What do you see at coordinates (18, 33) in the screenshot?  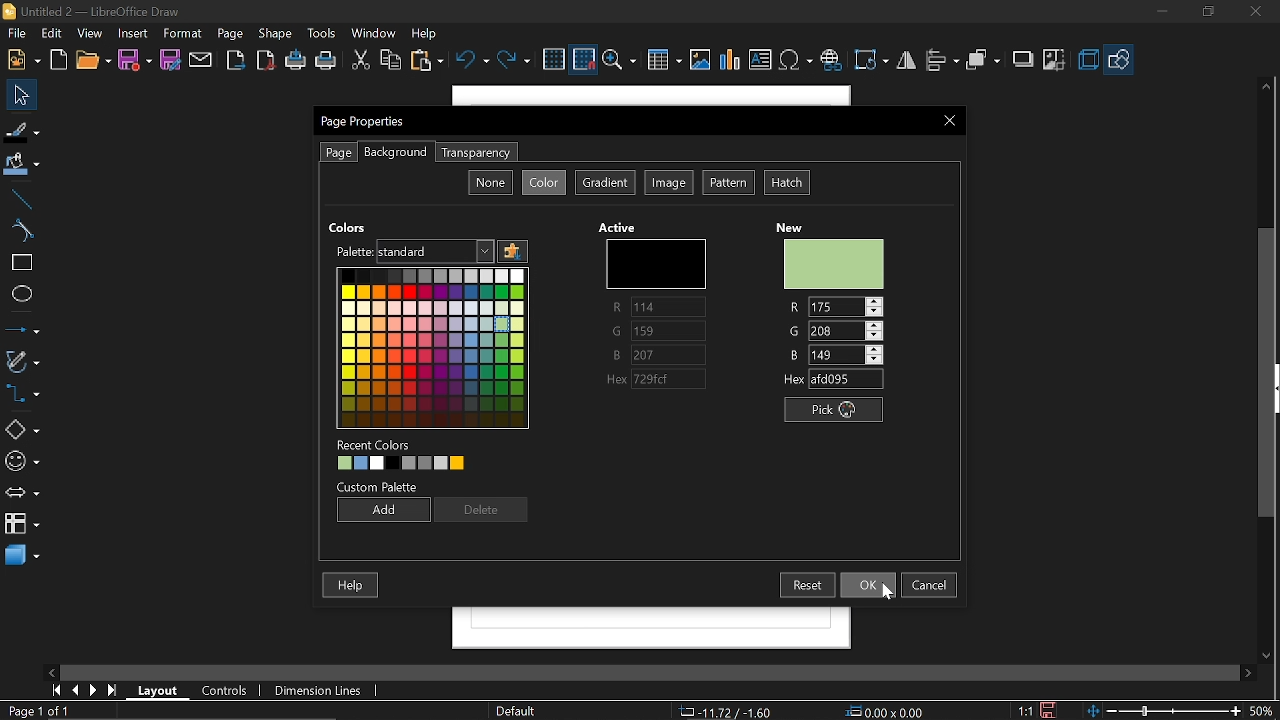 I see `File` at bounding box center [18, 33].